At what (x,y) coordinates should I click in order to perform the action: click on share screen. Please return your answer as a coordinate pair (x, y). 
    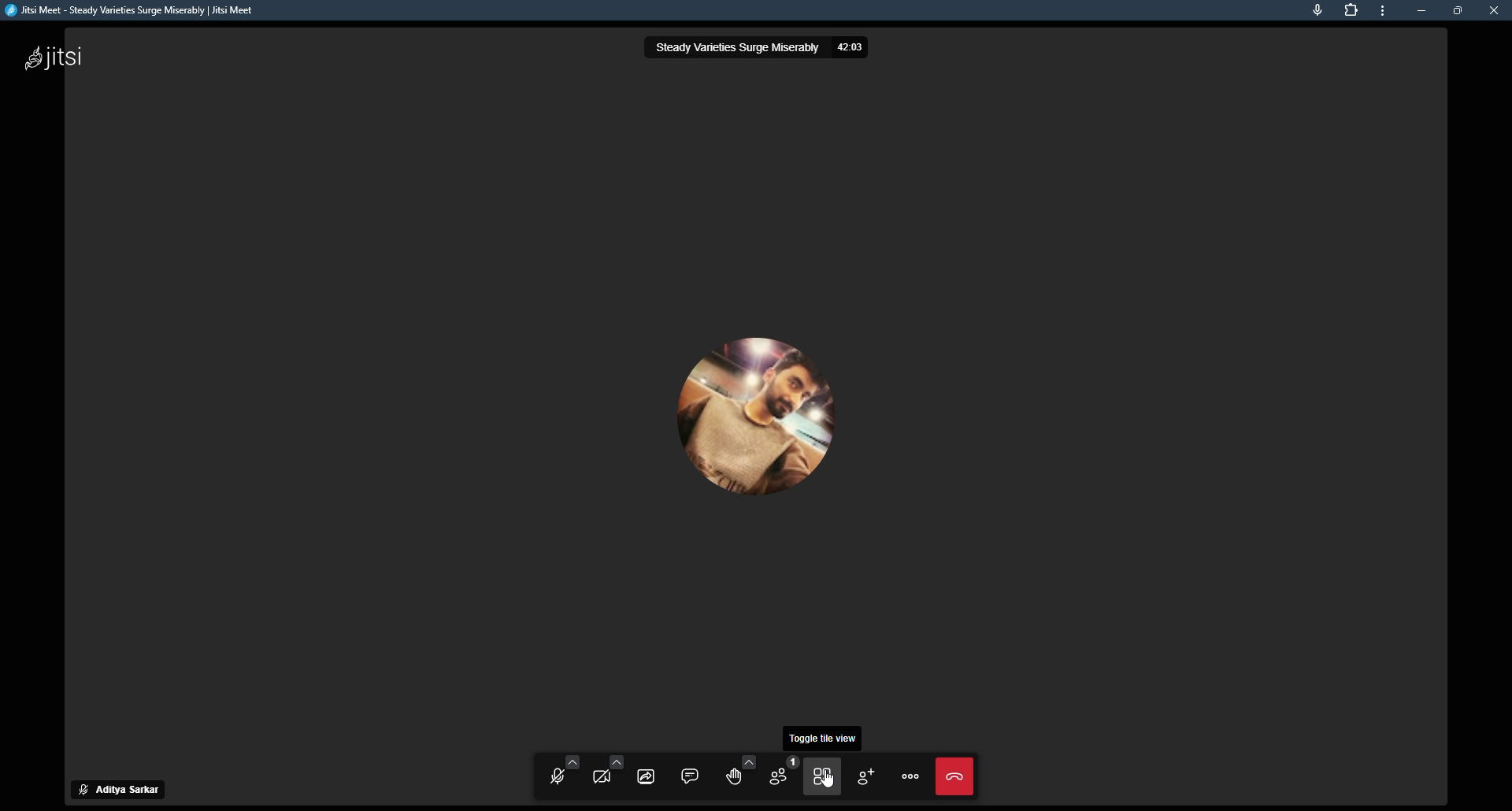
    Looking at the image, I should click on (648, 776).